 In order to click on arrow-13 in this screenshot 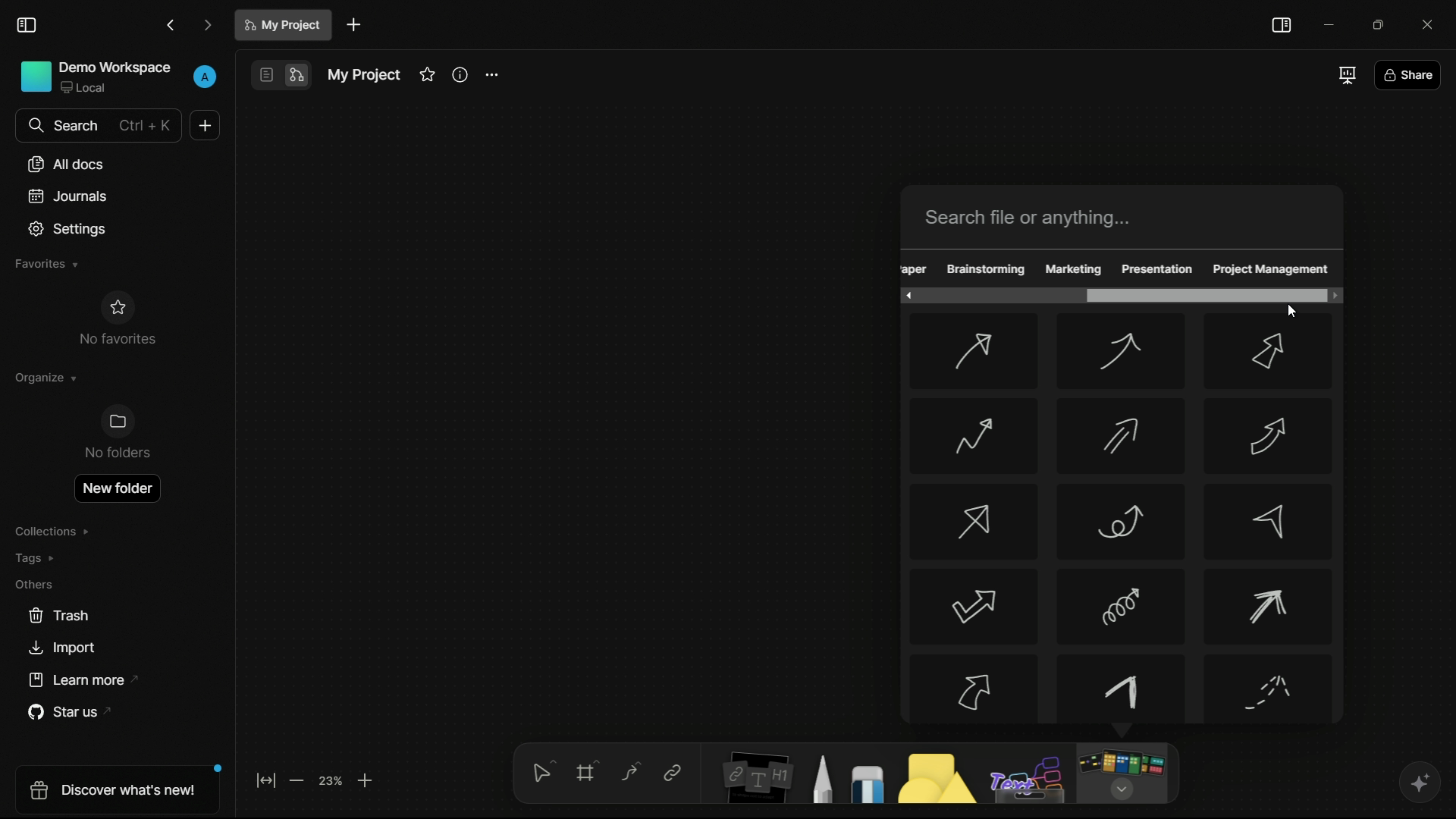, I will do `click(973, 688)`.